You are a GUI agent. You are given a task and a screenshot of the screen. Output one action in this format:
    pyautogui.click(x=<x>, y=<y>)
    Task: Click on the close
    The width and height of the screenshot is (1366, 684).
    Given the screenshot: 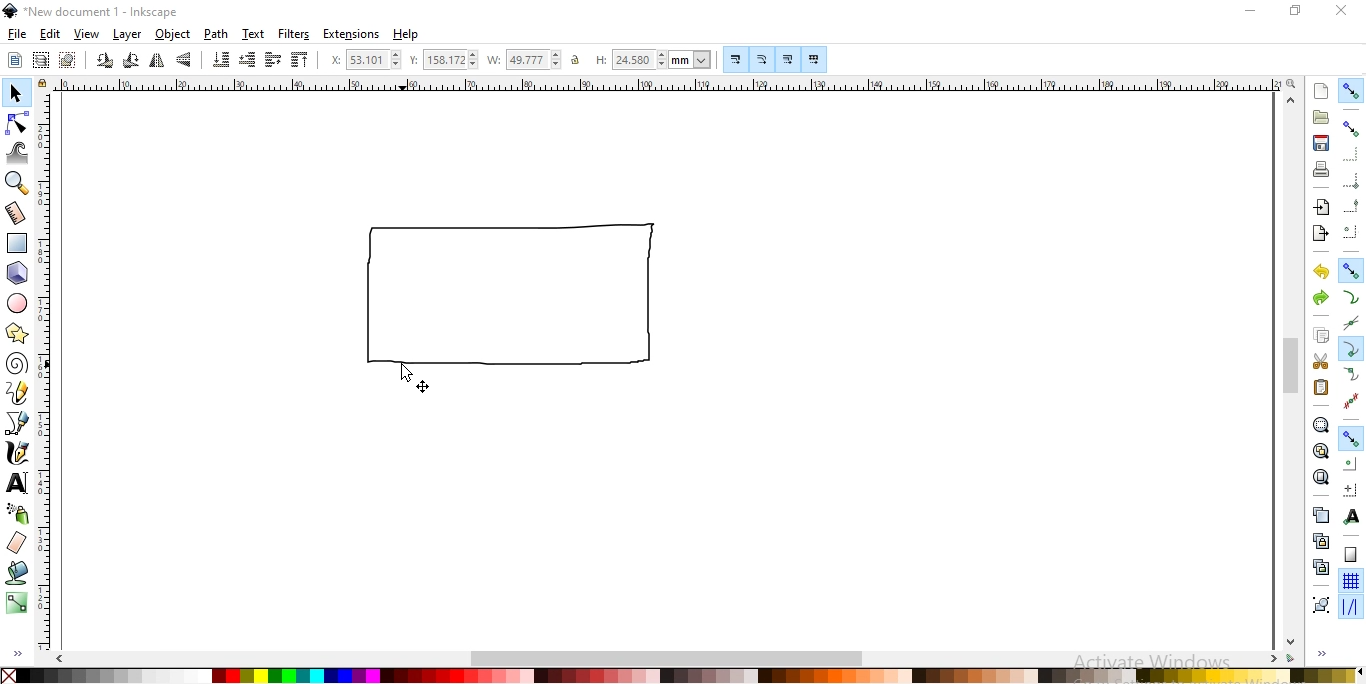 What is the action you would take?
    pyautogui.click(x=1346, y=10)
    